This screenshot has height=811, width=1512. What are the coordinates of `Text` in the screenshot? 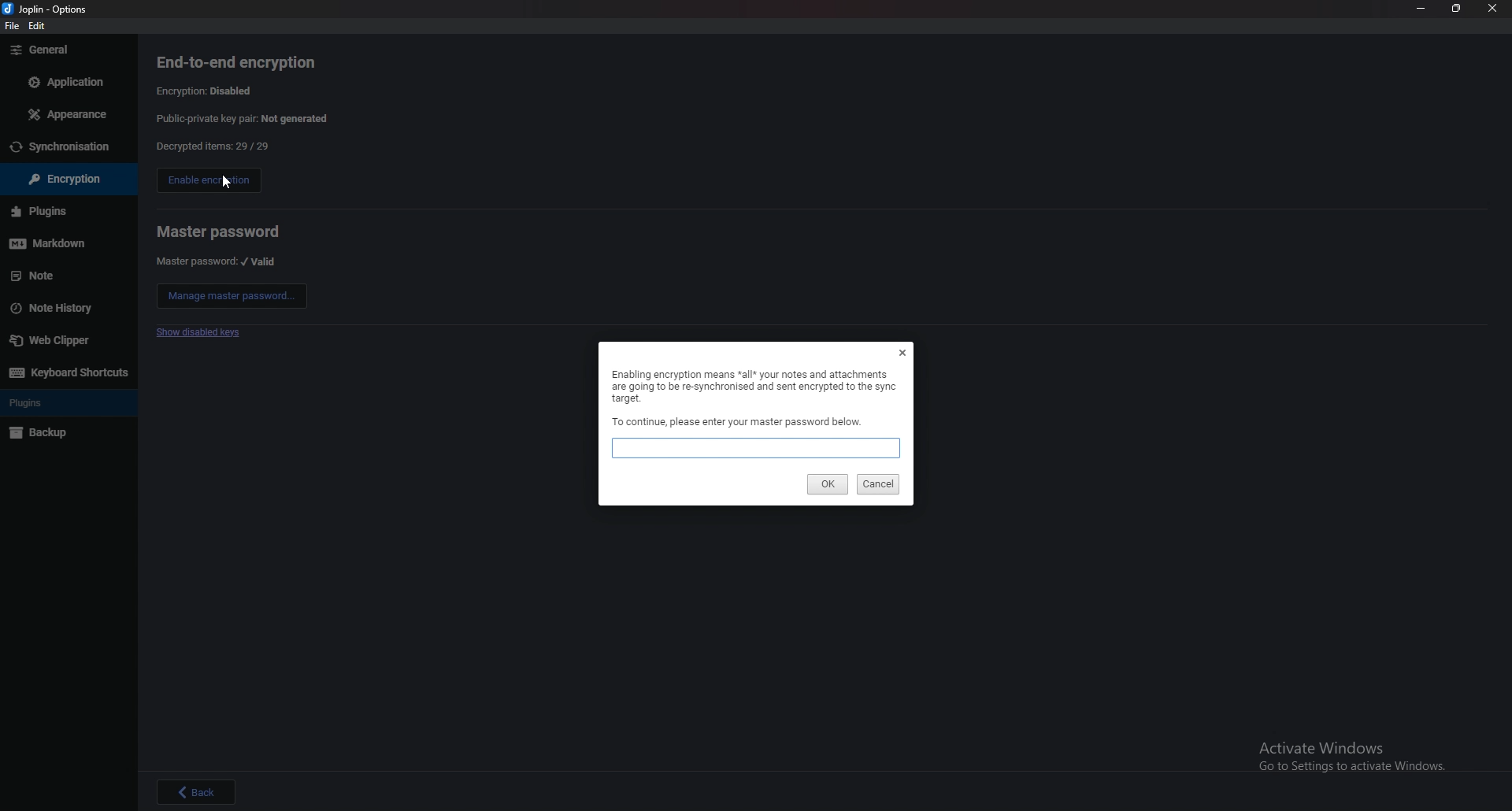 It's located at (752, 385).